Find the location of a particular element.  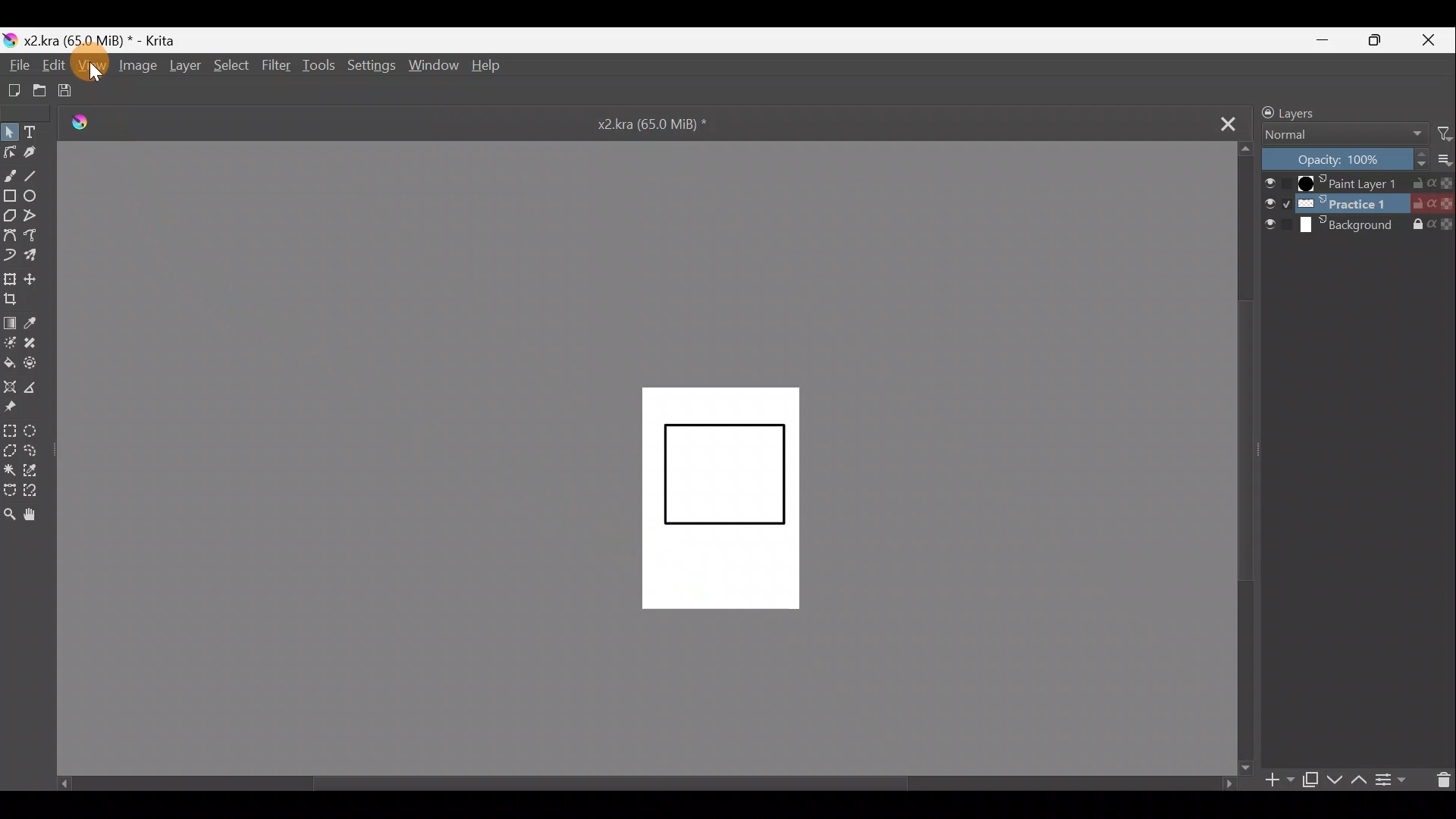

Select is located at coordinates (233, 67).